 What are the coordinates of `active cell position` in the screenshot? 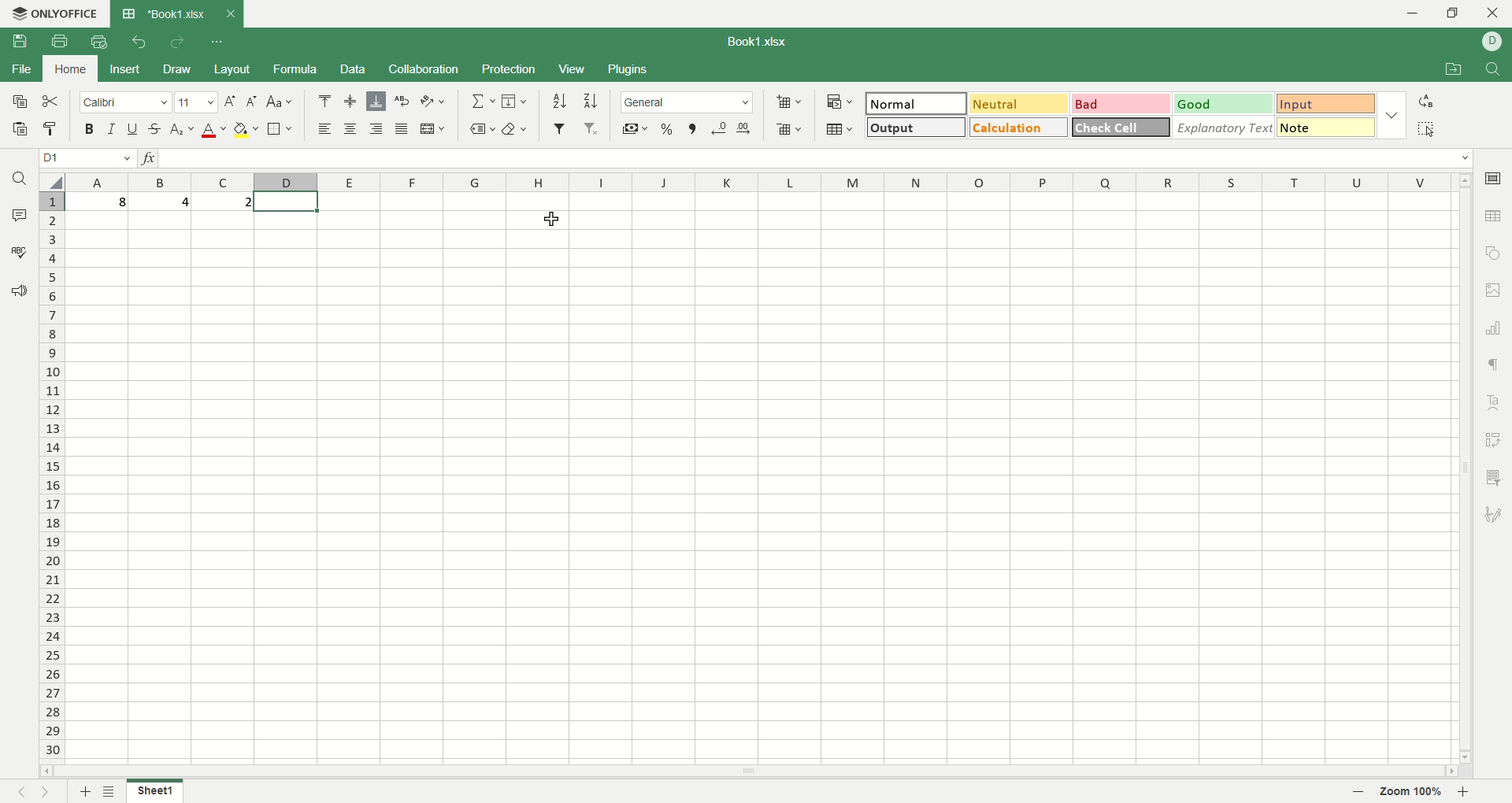 It's located at (89, 158).